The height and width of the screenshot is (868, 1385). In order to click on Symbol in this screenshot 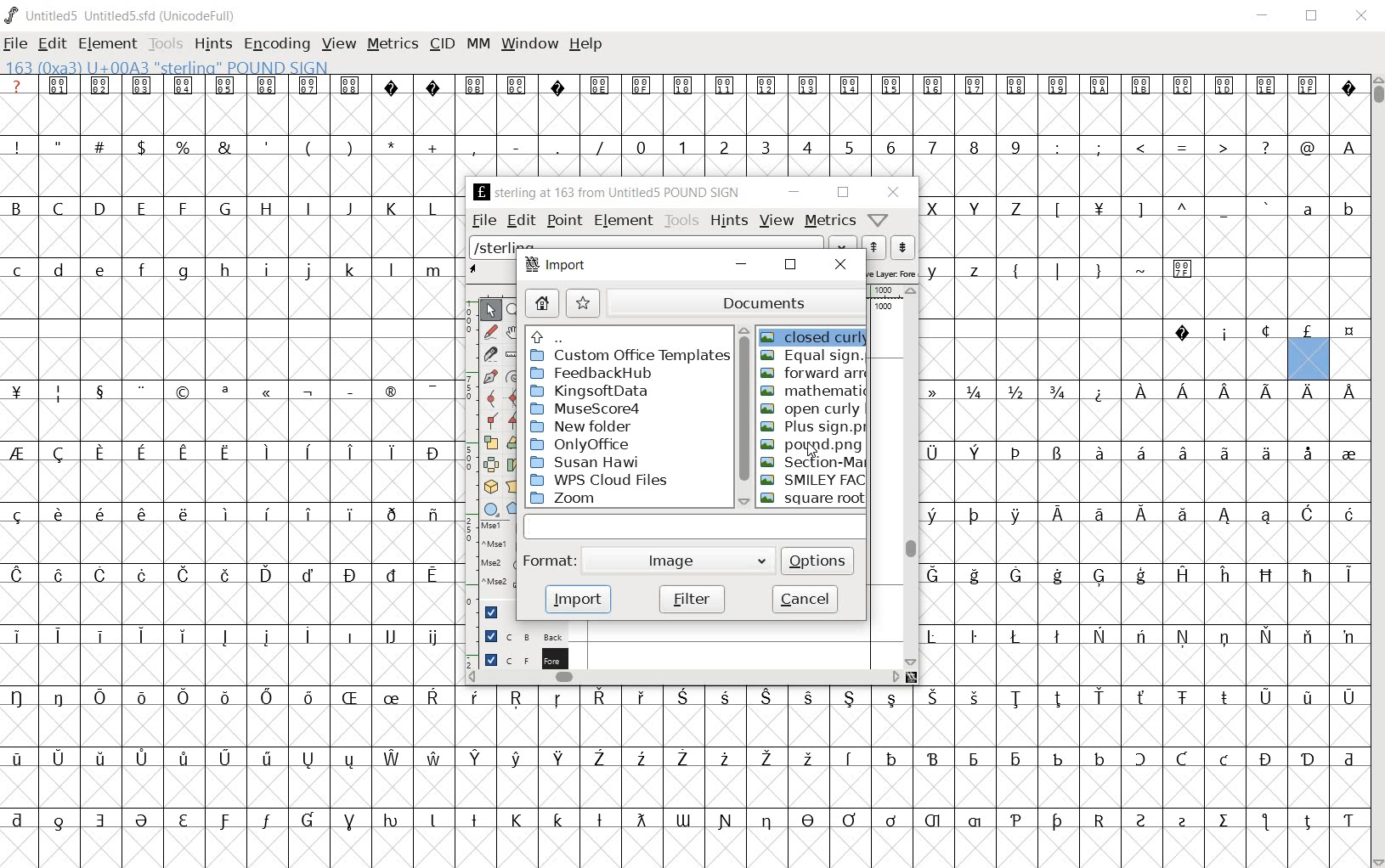, I will do `click(1348, 87)`.